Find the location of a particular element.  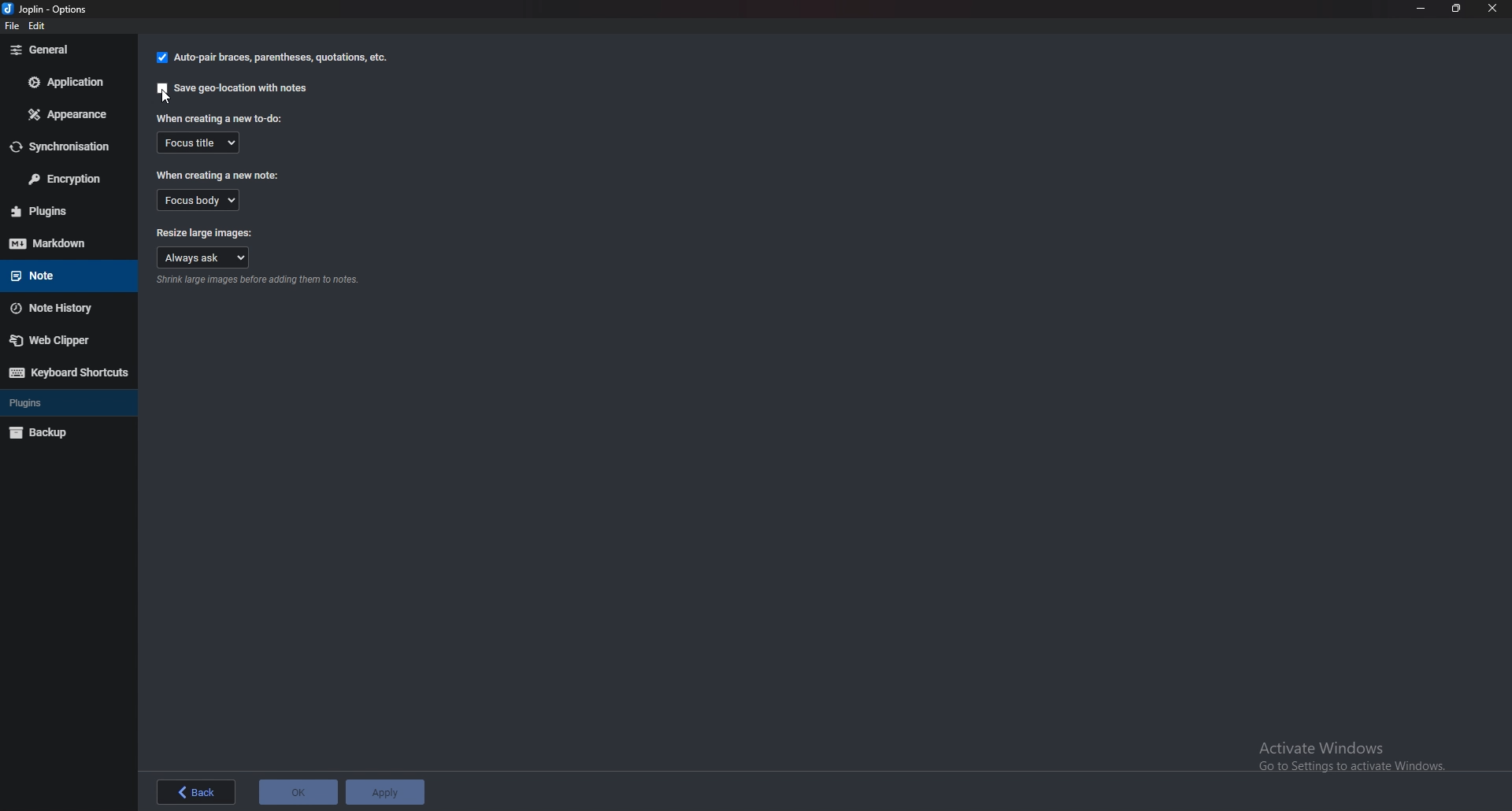

appearance is located at coordinates (69, 115).